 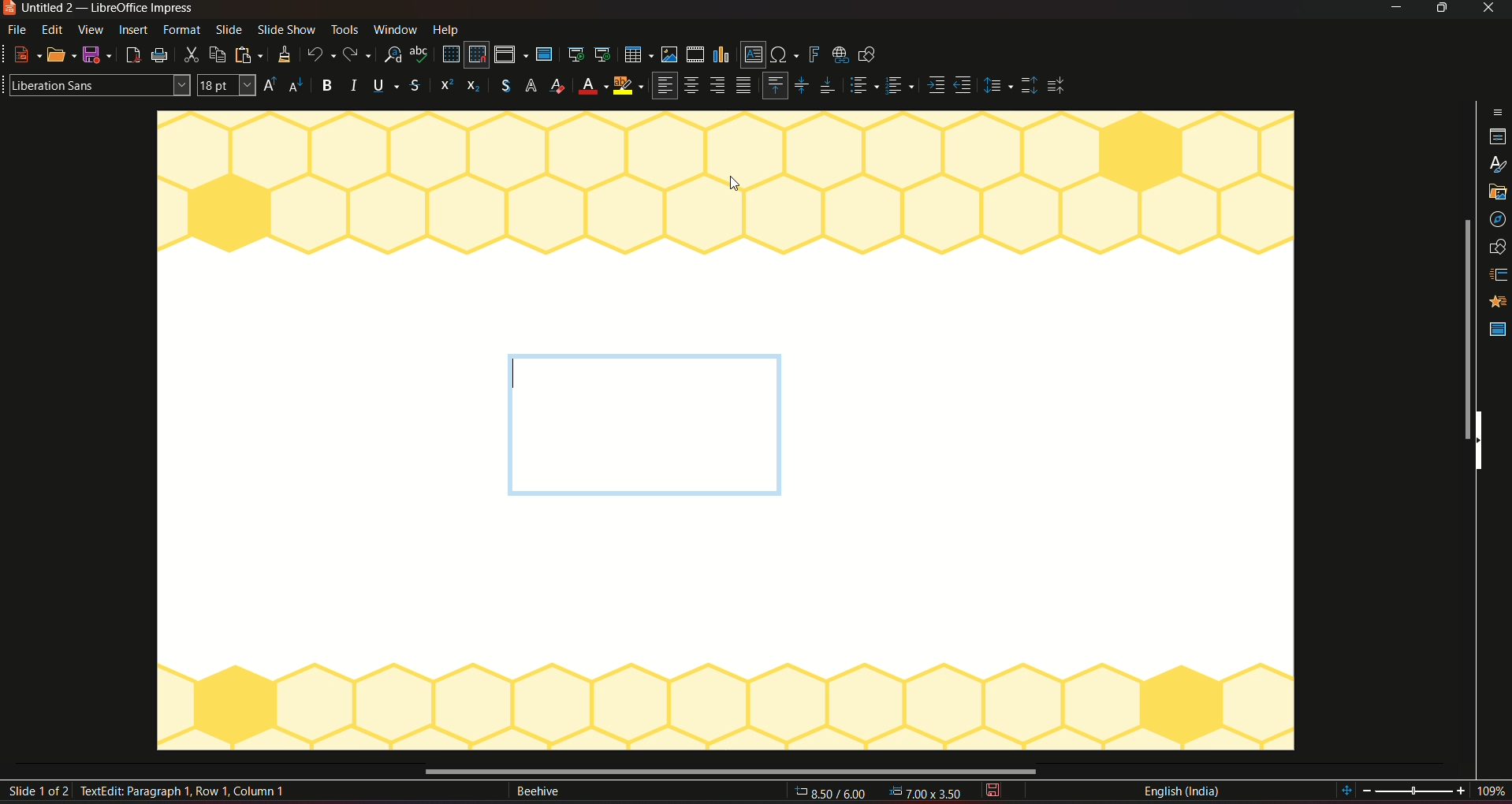 I want to click on font styles, so click(x=531, y=87).